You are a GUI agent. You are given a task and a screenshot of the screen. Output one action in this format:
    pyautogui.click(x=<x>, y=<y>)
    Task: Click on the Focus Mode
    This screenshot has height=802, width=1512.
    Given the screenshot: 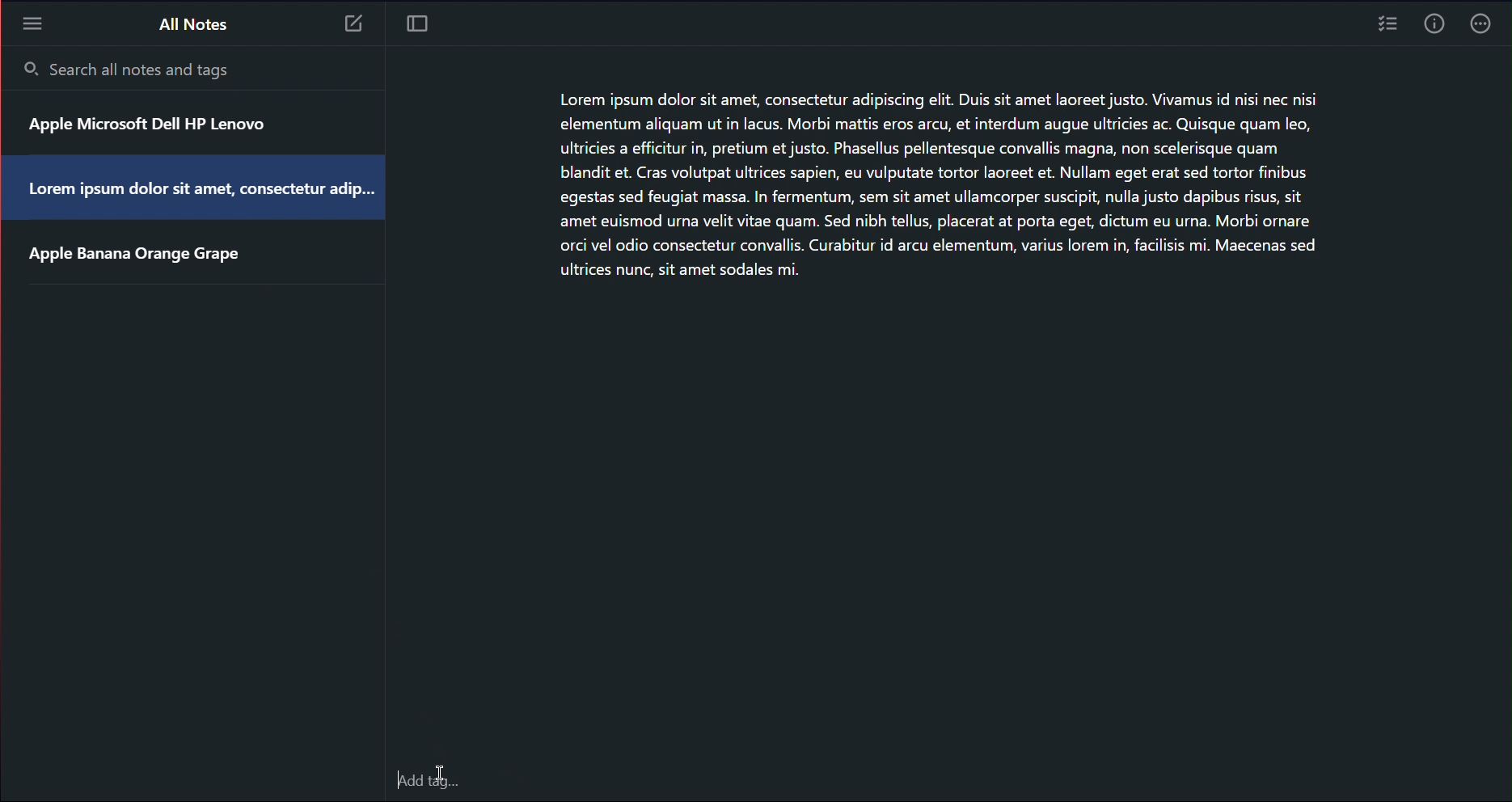 What is the action you would take?
    pyautogui.click(x=419, y=24)
    